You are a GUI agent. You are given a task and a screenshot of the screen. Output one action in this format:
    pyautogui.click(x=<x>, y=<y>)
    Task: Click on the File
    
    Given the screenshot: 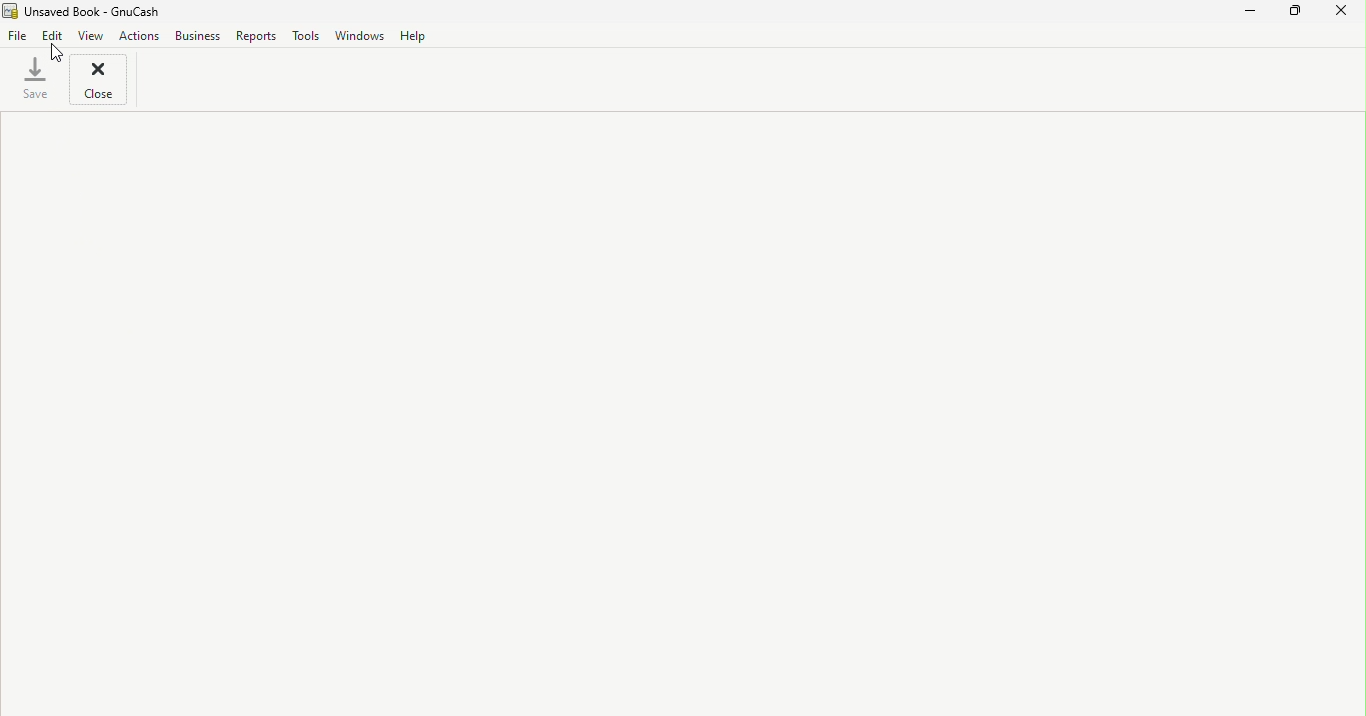 What is the action you would take?
    pyautogui.click(x=16, y=36)
    